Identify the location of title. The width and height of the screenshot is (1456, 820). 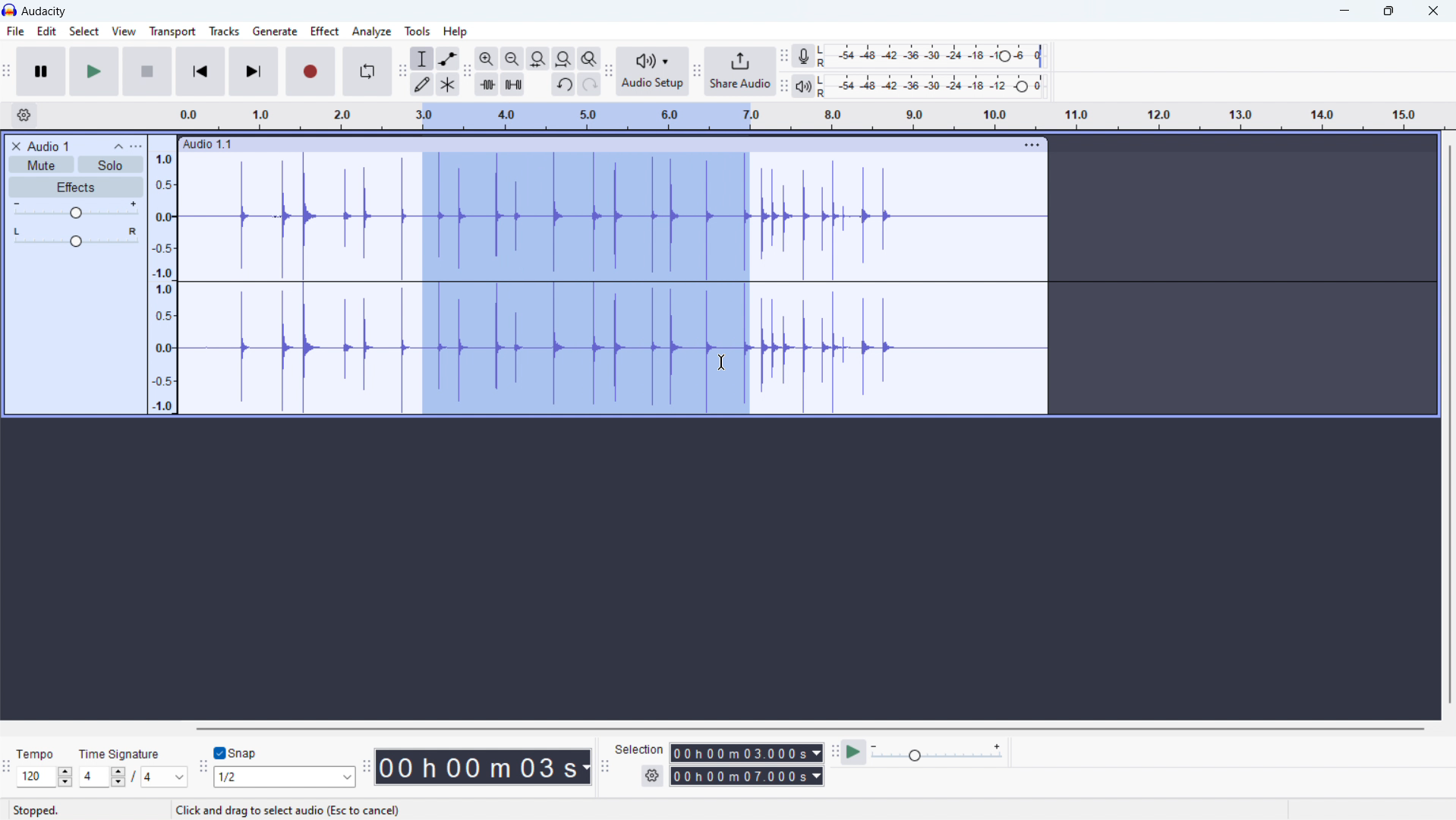
(50, 146).